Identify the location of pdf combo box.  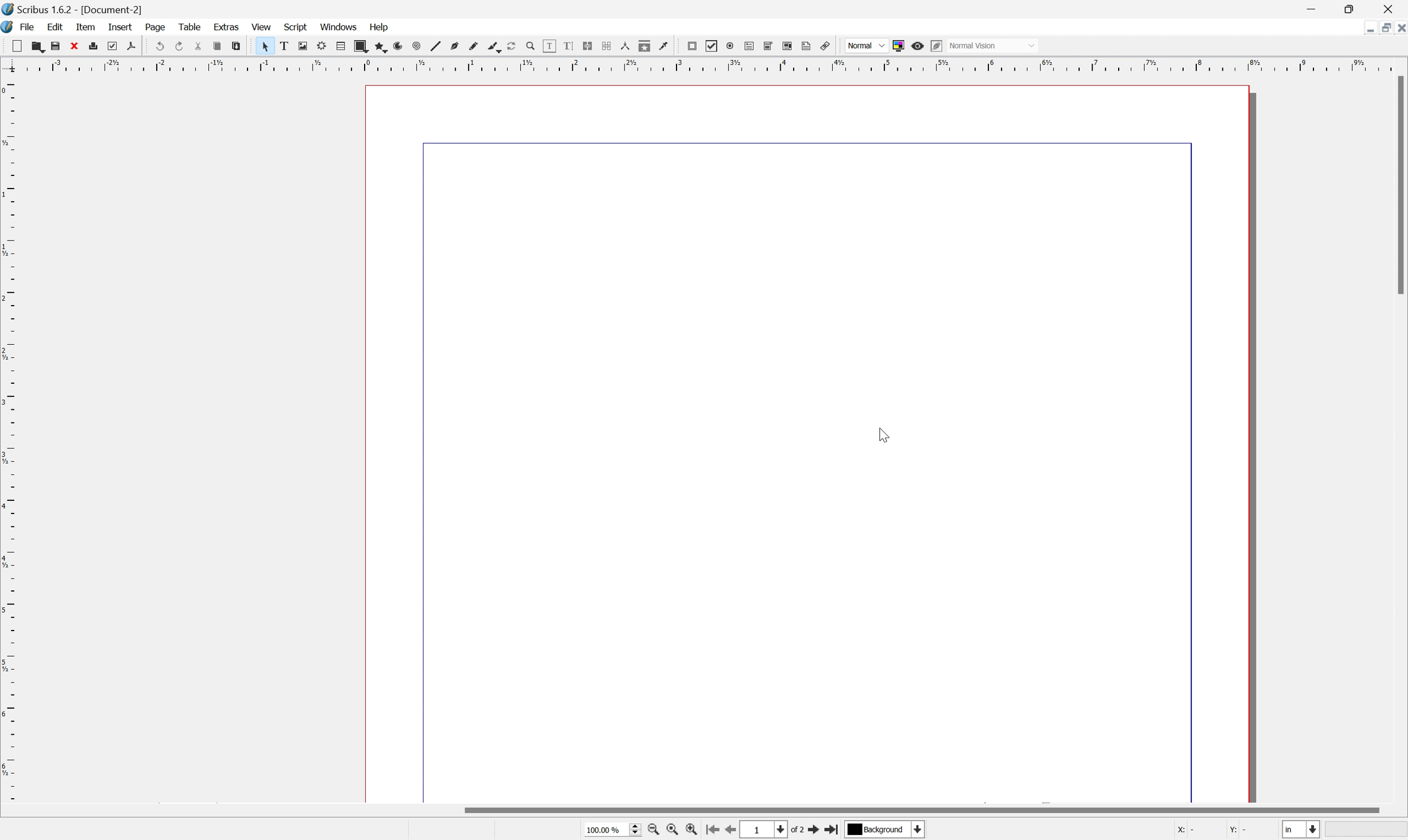
(769, 45).